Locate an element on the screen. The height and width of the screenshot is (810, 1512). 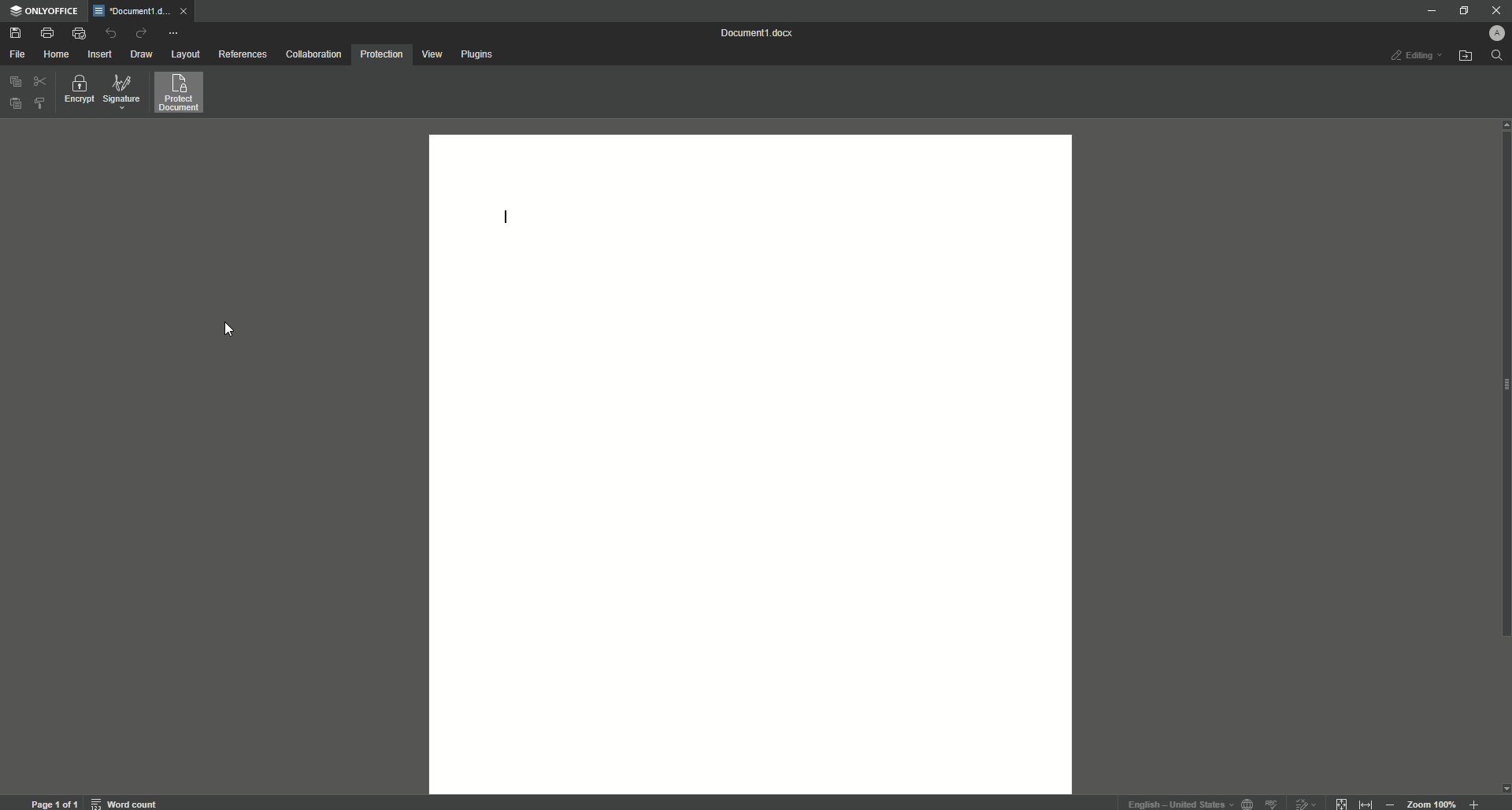
 is located at coordinates (102, 53).